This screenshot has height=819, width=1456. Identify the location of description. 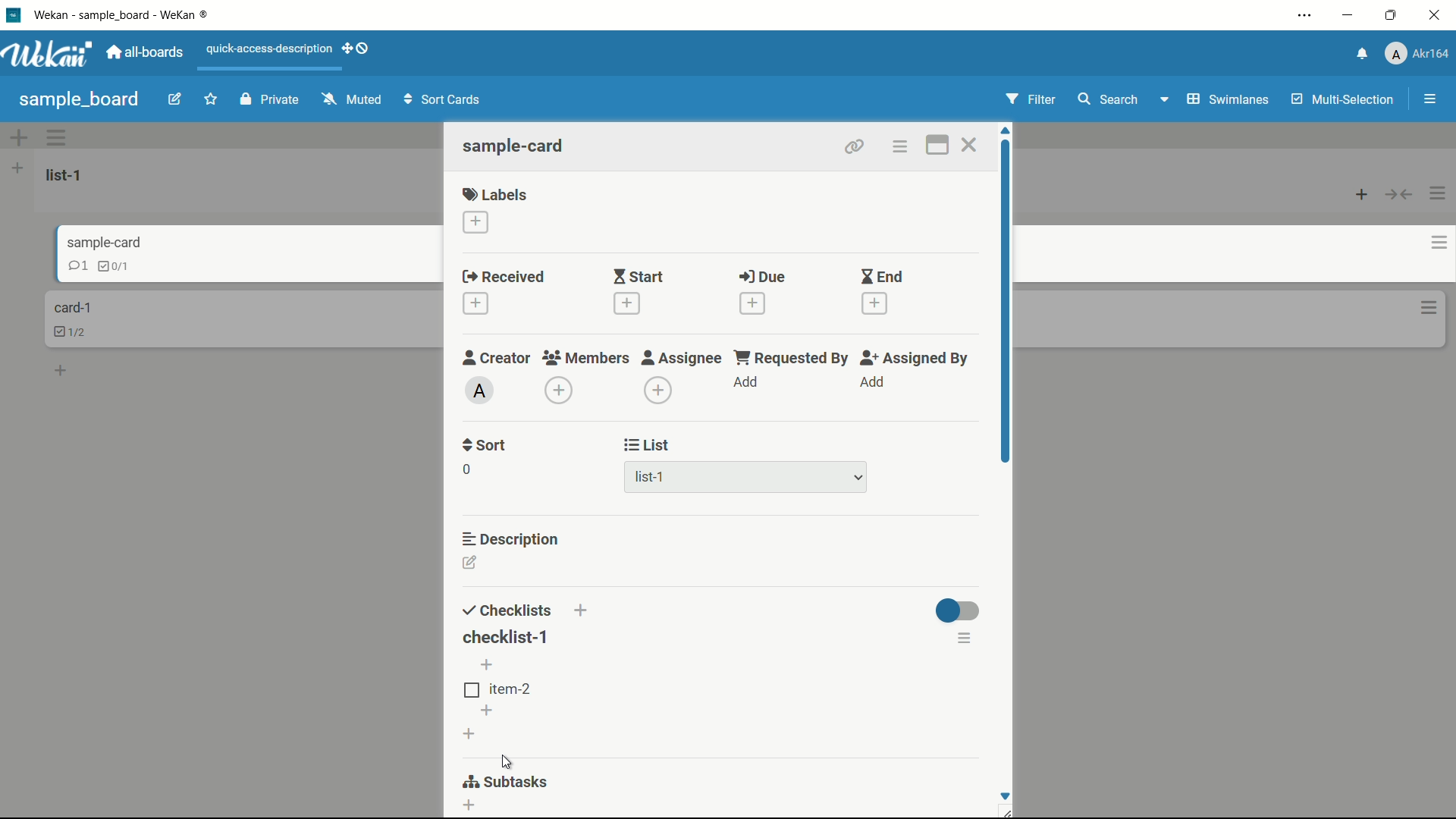
(511, 539).